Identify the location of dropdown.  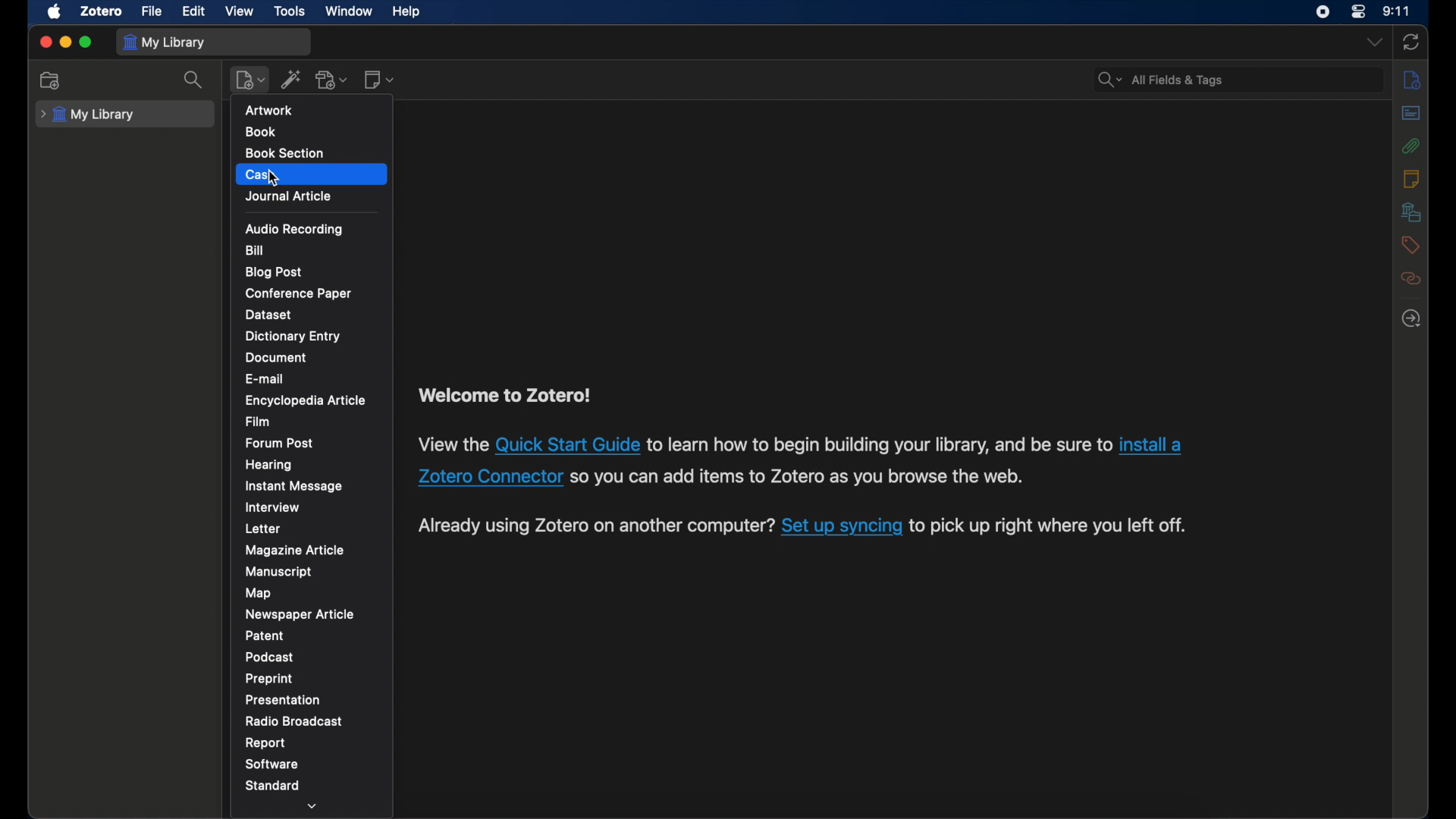
(312, 808).